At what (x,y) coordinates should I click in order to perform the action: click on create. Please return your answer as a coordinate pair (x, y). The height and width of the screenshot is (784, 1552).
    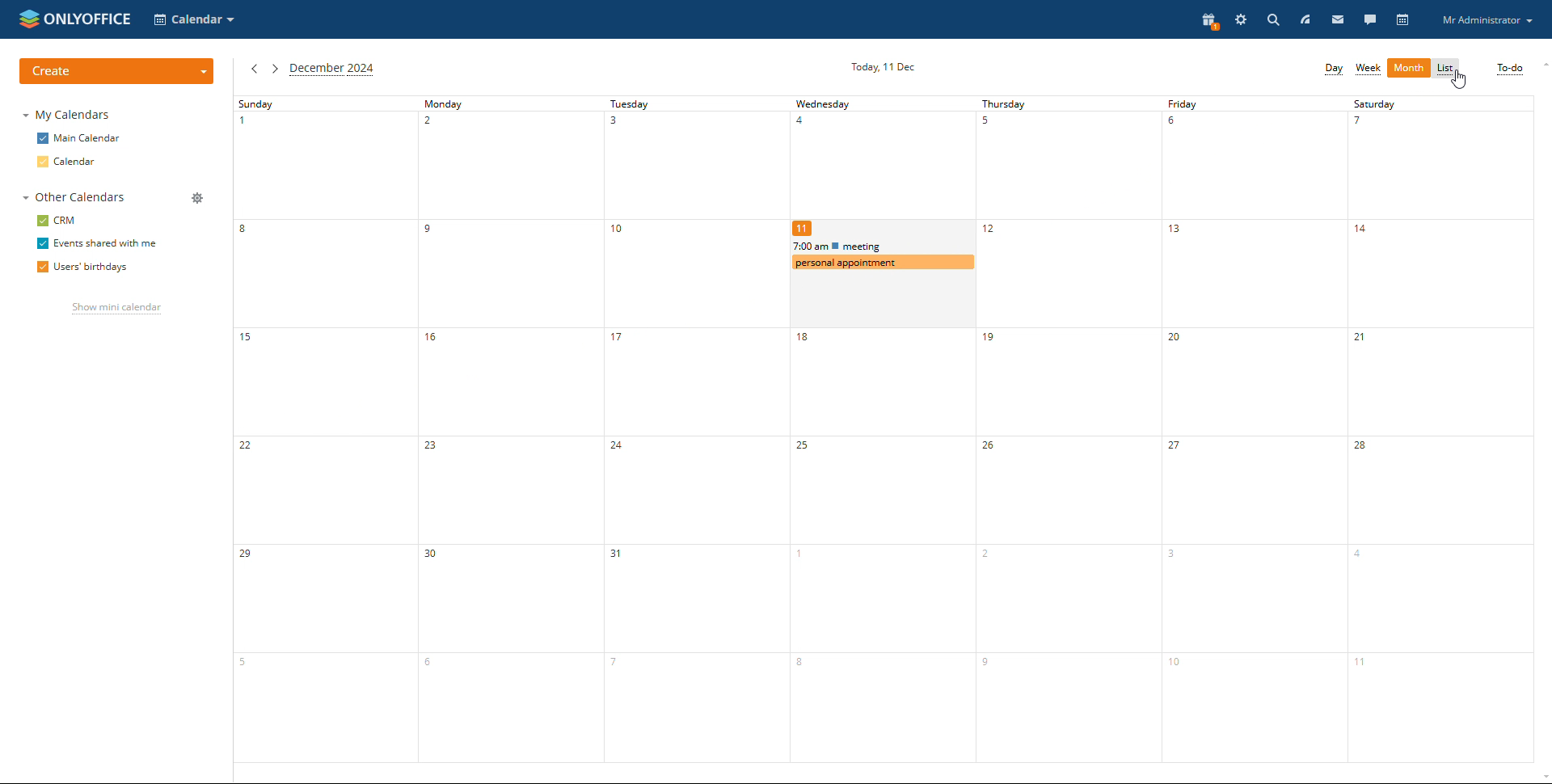
    Looking at the image, I should click on (116, 70).